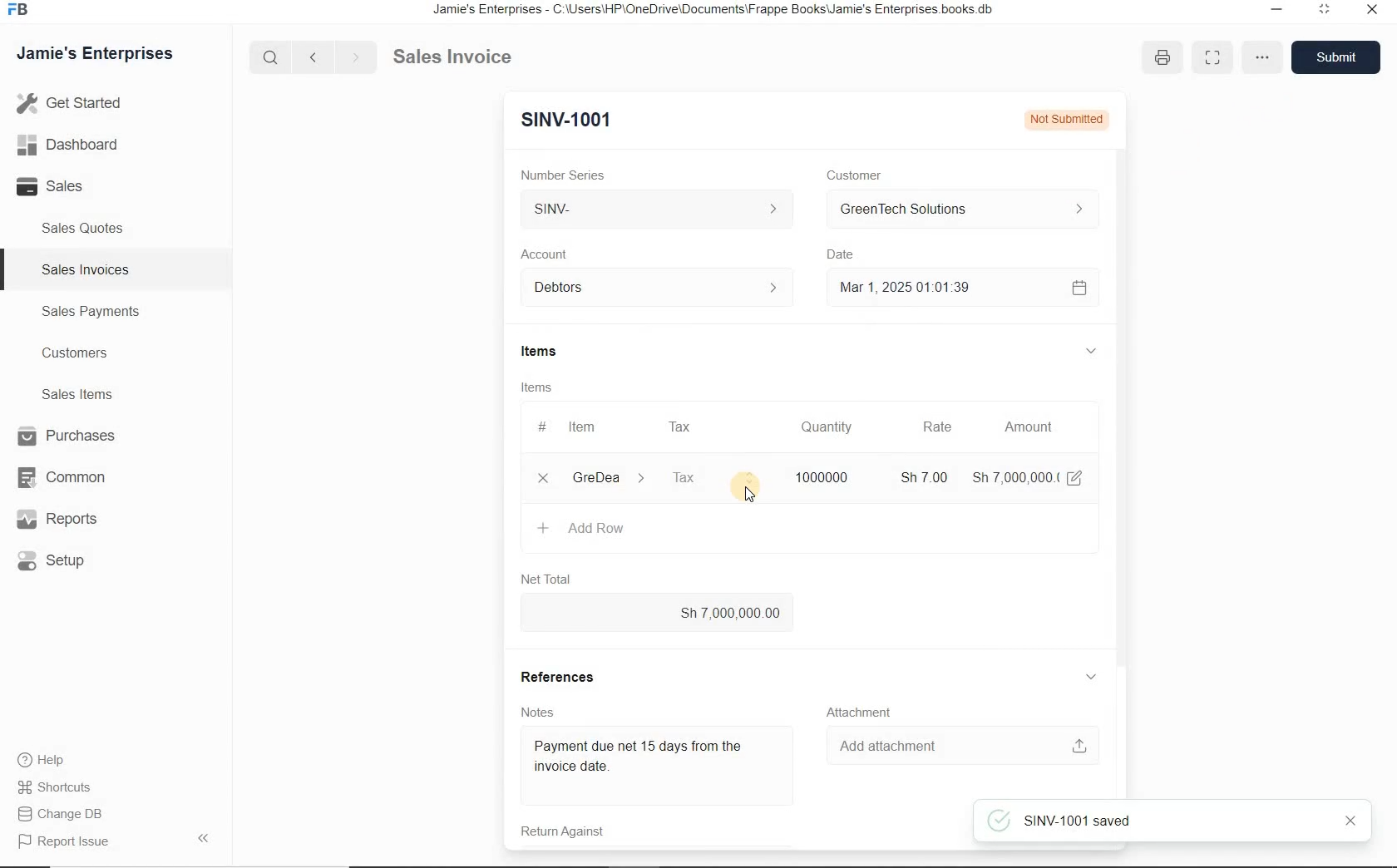 This screenshot has height=868, width=1397. I want to click on GreenTech Solutions, so click(955, 210).